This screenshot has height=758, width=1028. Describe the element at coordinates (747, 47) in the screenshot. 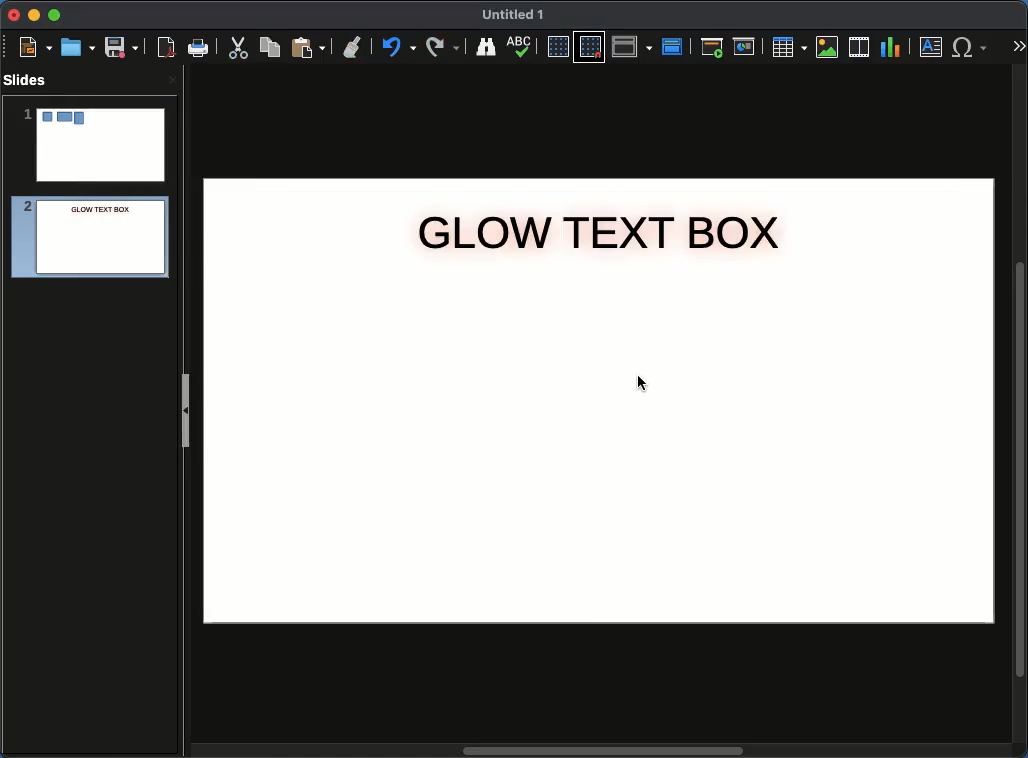

I see `Current slide` at that location.